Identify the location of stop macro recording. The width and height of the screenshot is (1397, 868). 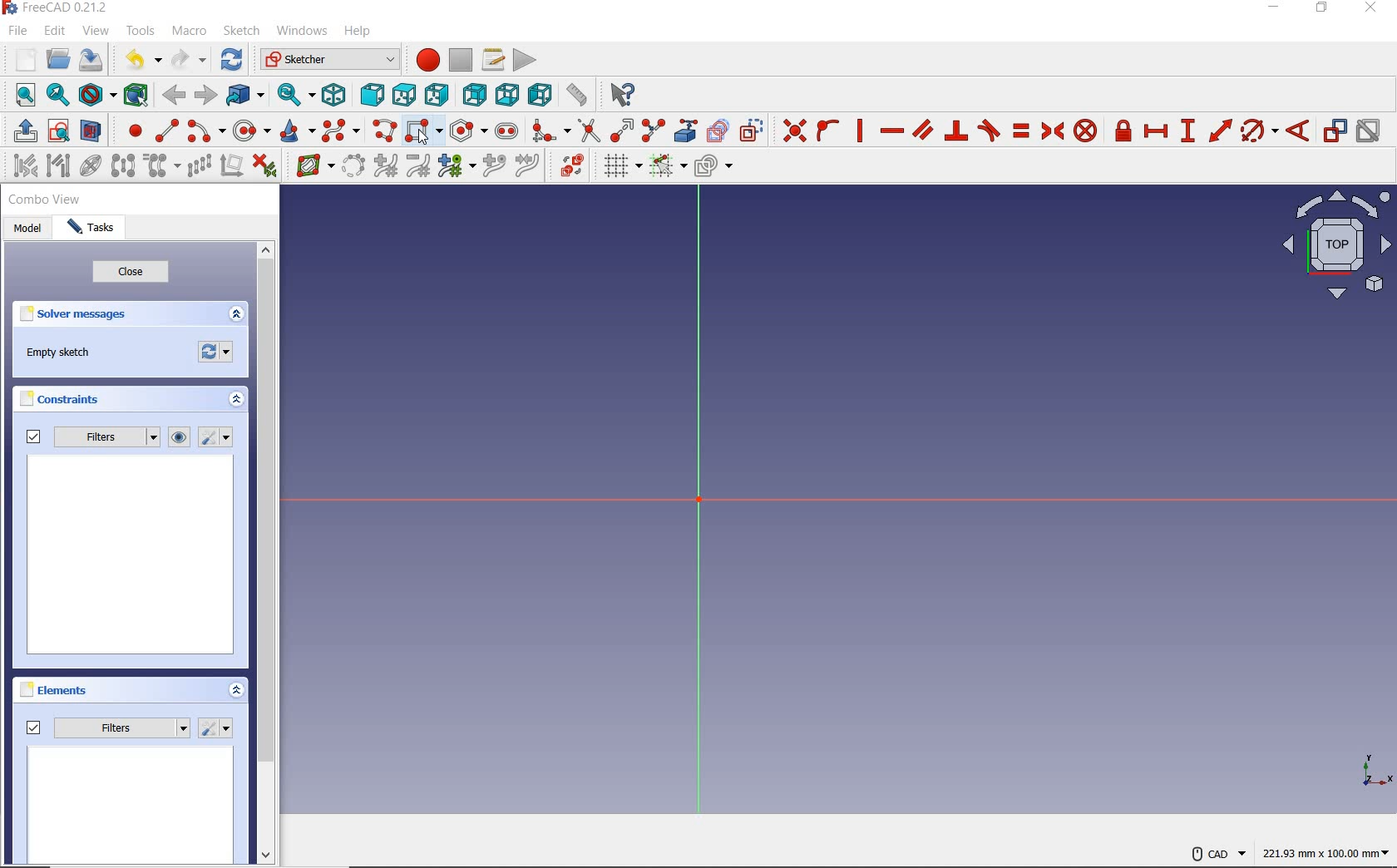
(461, 60).